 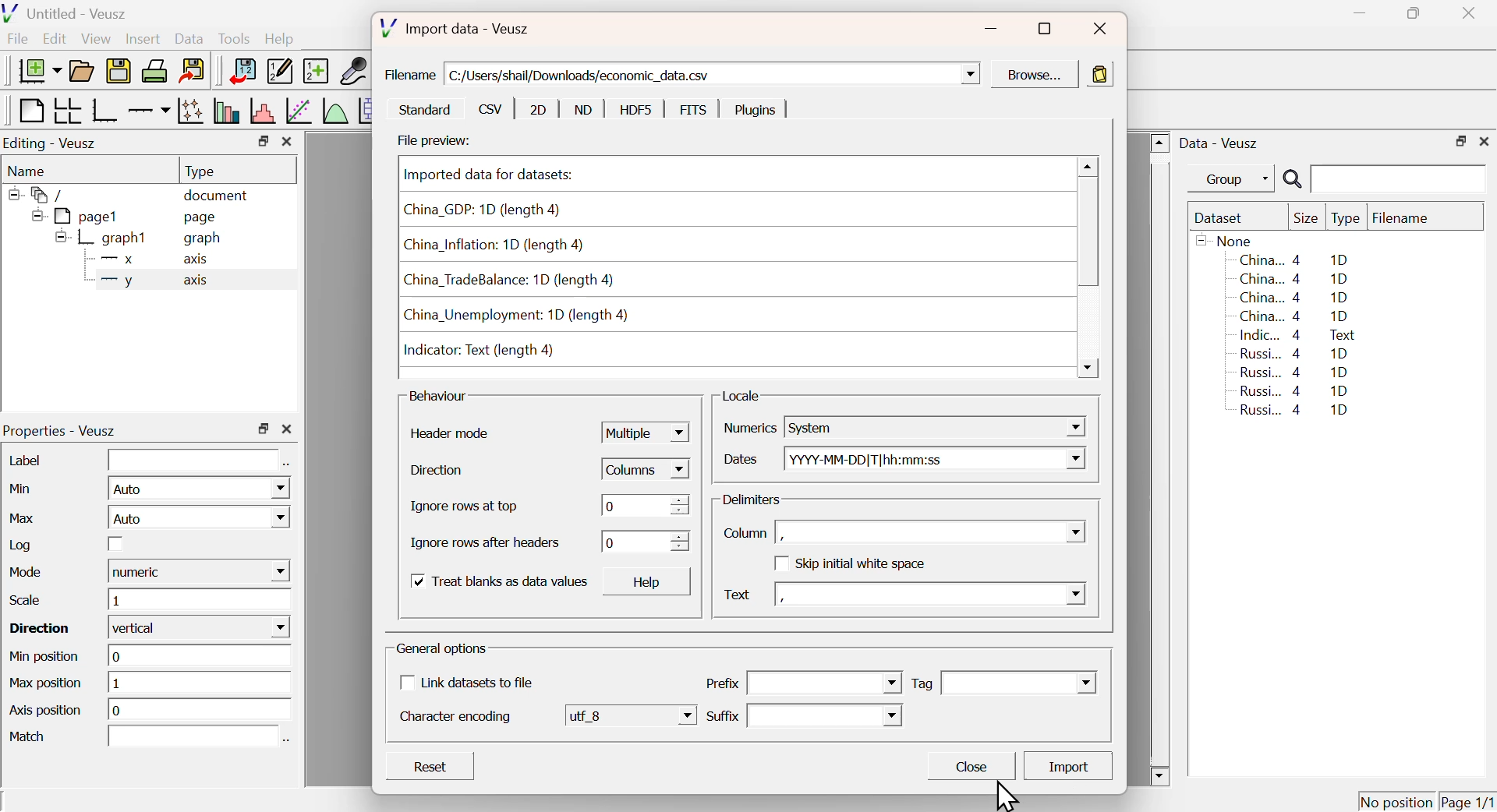 I want to click on ND, so click(x=584, y=110).